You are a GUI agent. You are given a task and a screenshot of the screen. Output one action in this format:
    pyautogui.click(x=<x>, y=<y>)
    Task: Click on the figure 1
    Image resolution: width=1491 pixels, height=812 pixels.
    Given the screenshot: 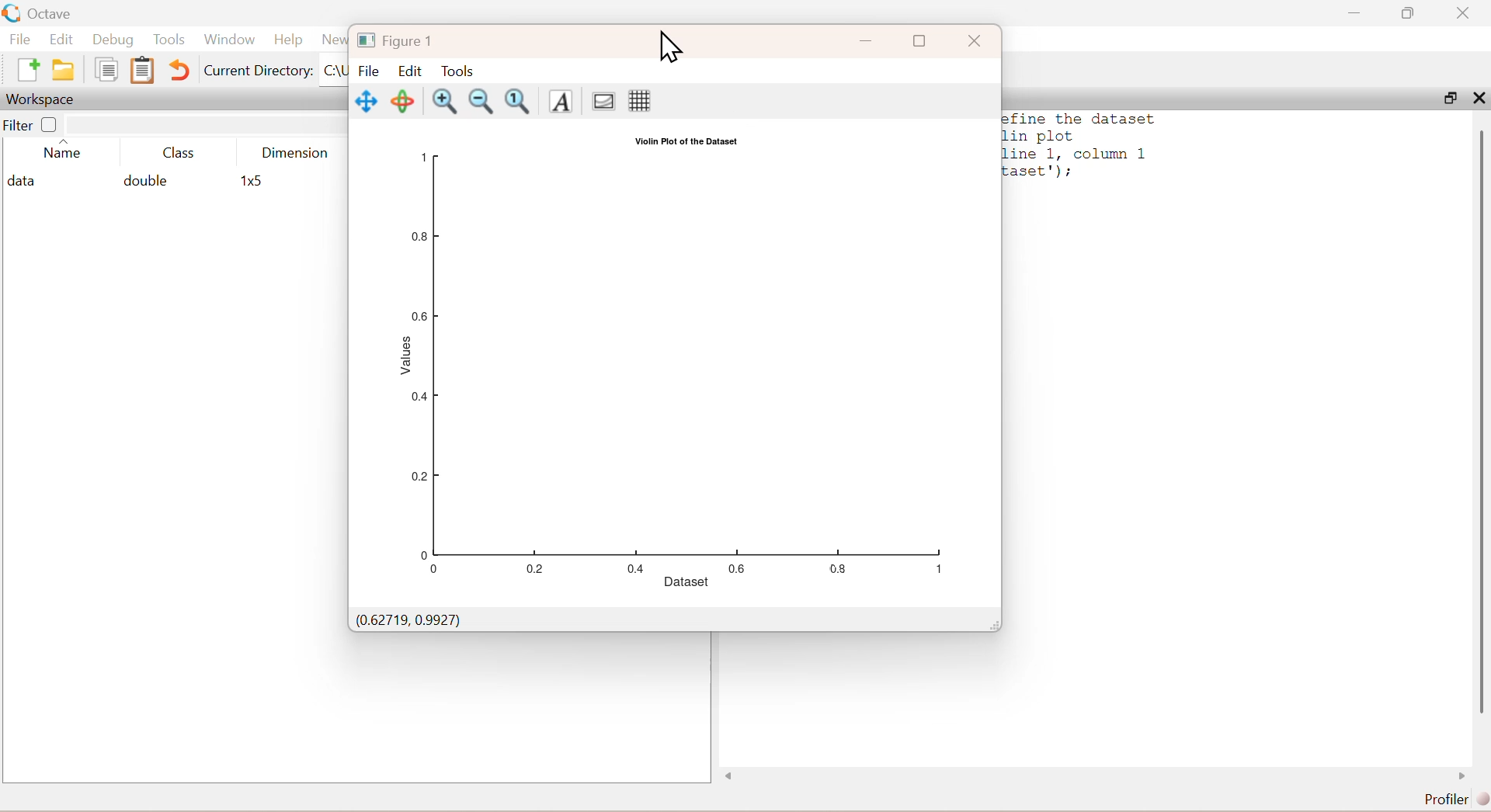 What is the action you would take?
    pyautogui.click(x=396, y=43)
    